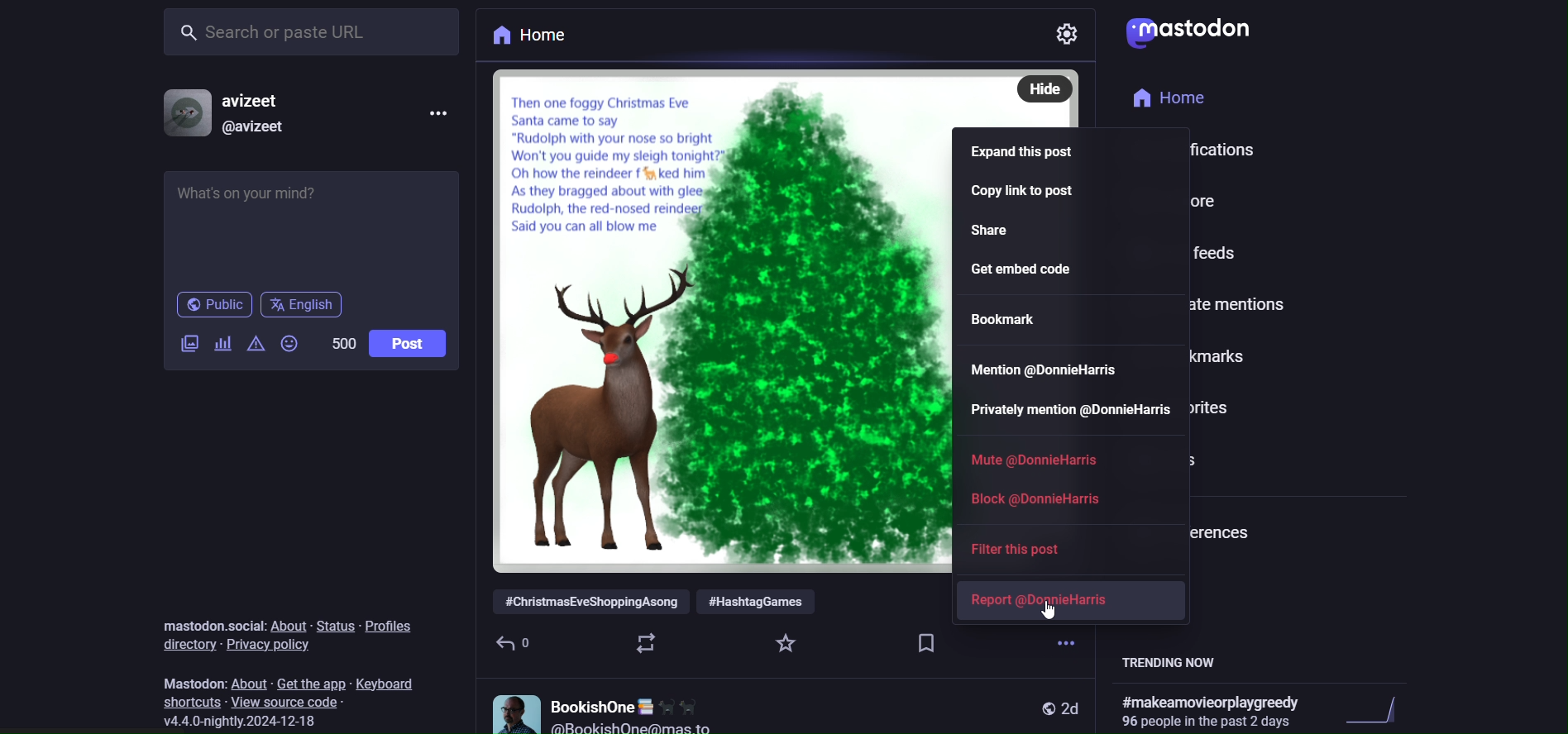  Describe the element at coordinates (393, 625) in the screenshot. I see `profiles` at that location.